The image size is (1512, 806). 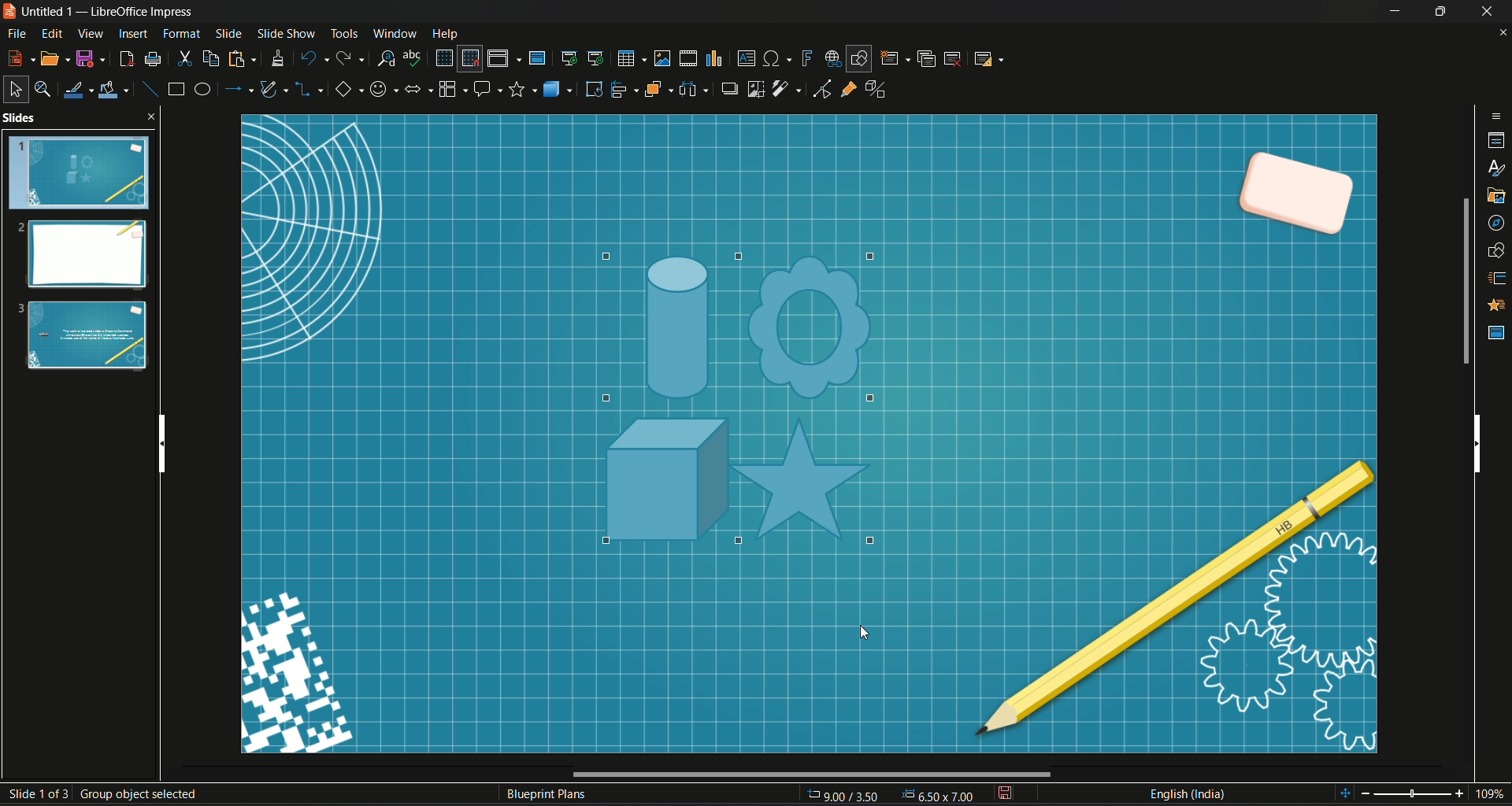 I want to click on Tools, so click(x=343, y=31).